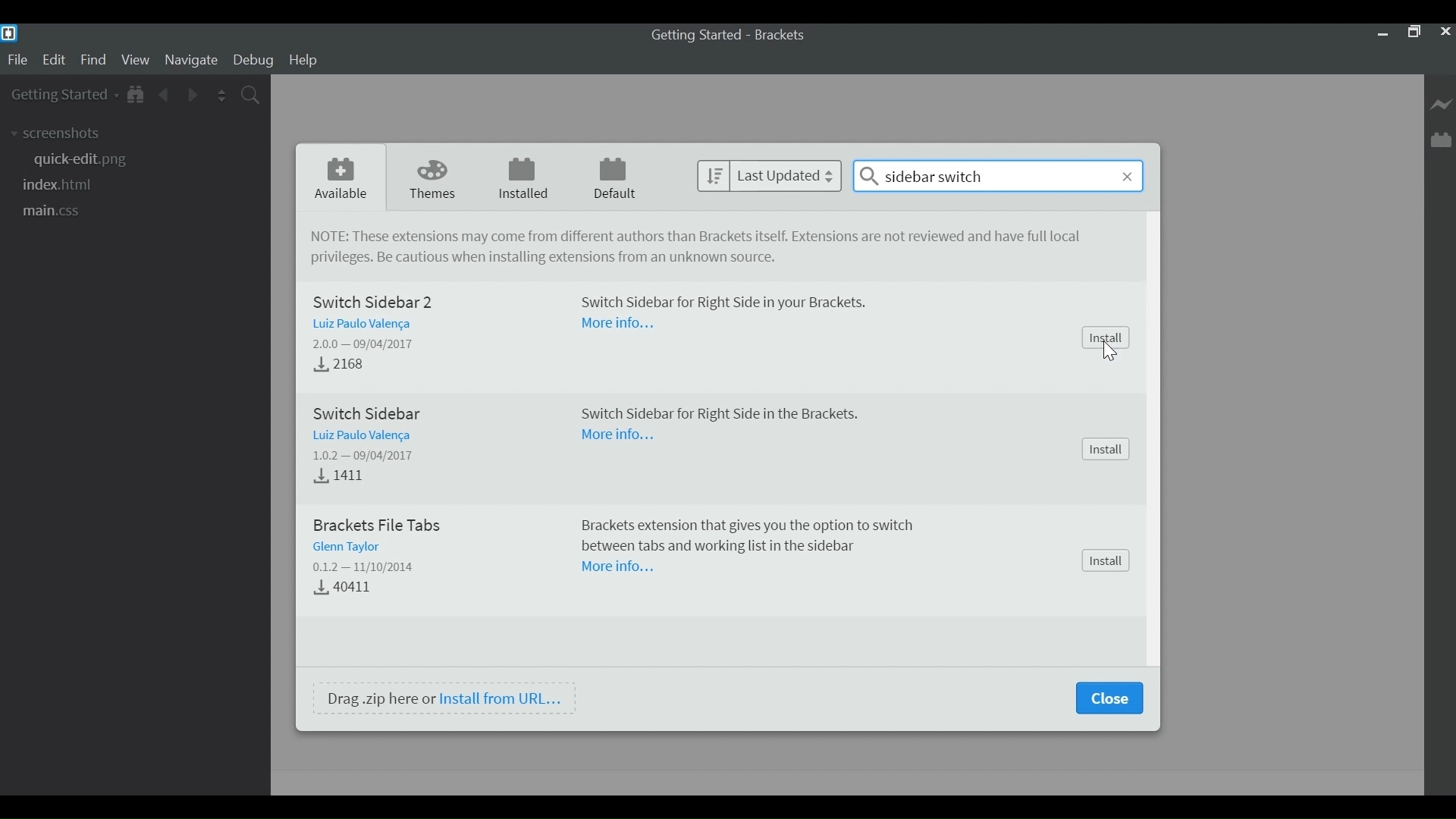 The image size is (1456, 819). Describe the element at coordinates (193, 96) in the screenshot. I see `Navigate Forward` at that location.